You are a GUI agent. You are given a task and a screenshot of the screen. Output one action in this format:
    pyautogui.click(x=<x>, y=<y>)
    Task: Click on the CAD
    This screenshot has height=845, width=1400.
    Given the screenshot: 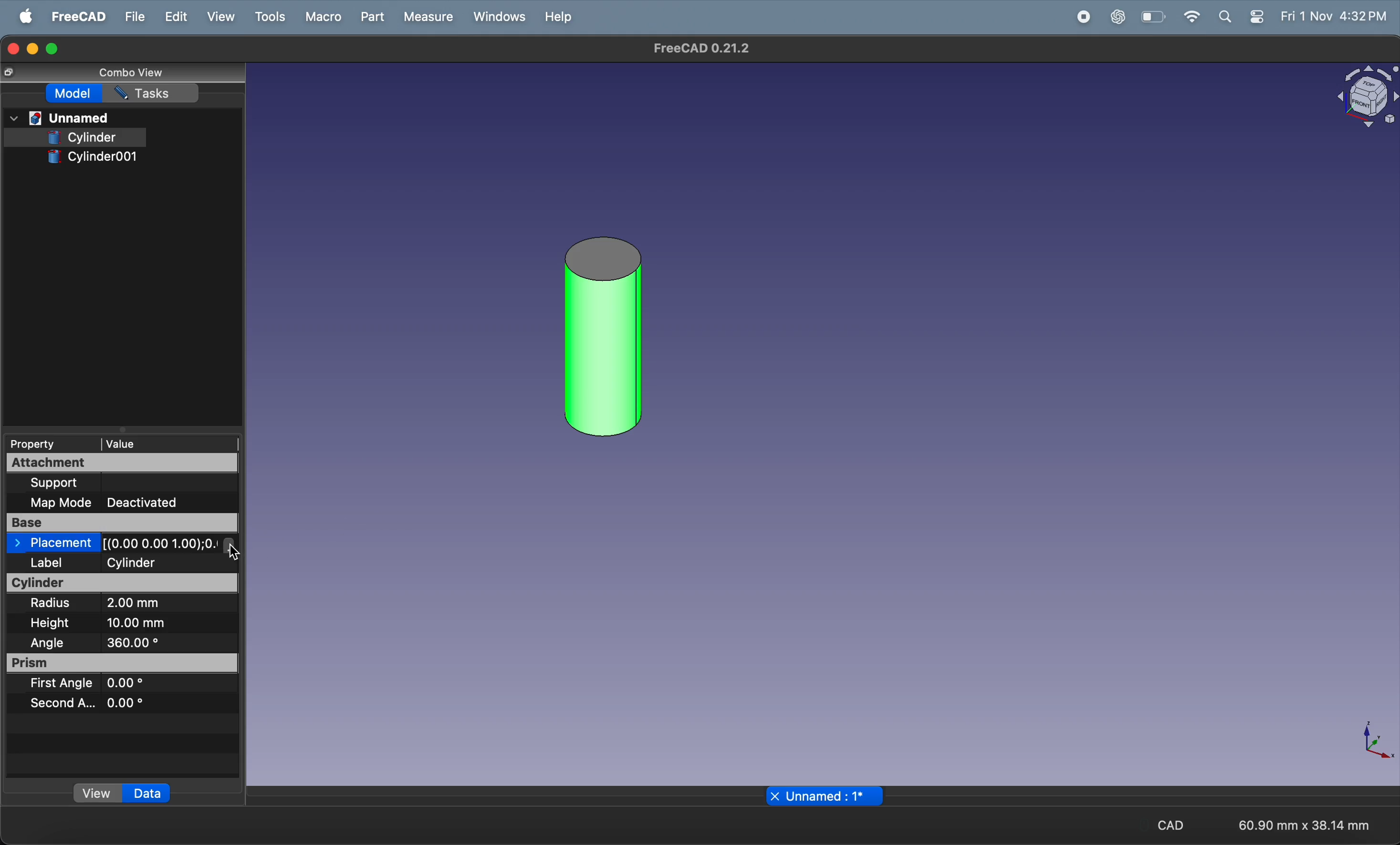 What is the action you would take?
    pyautogui.click(x=1163, y=824)
    